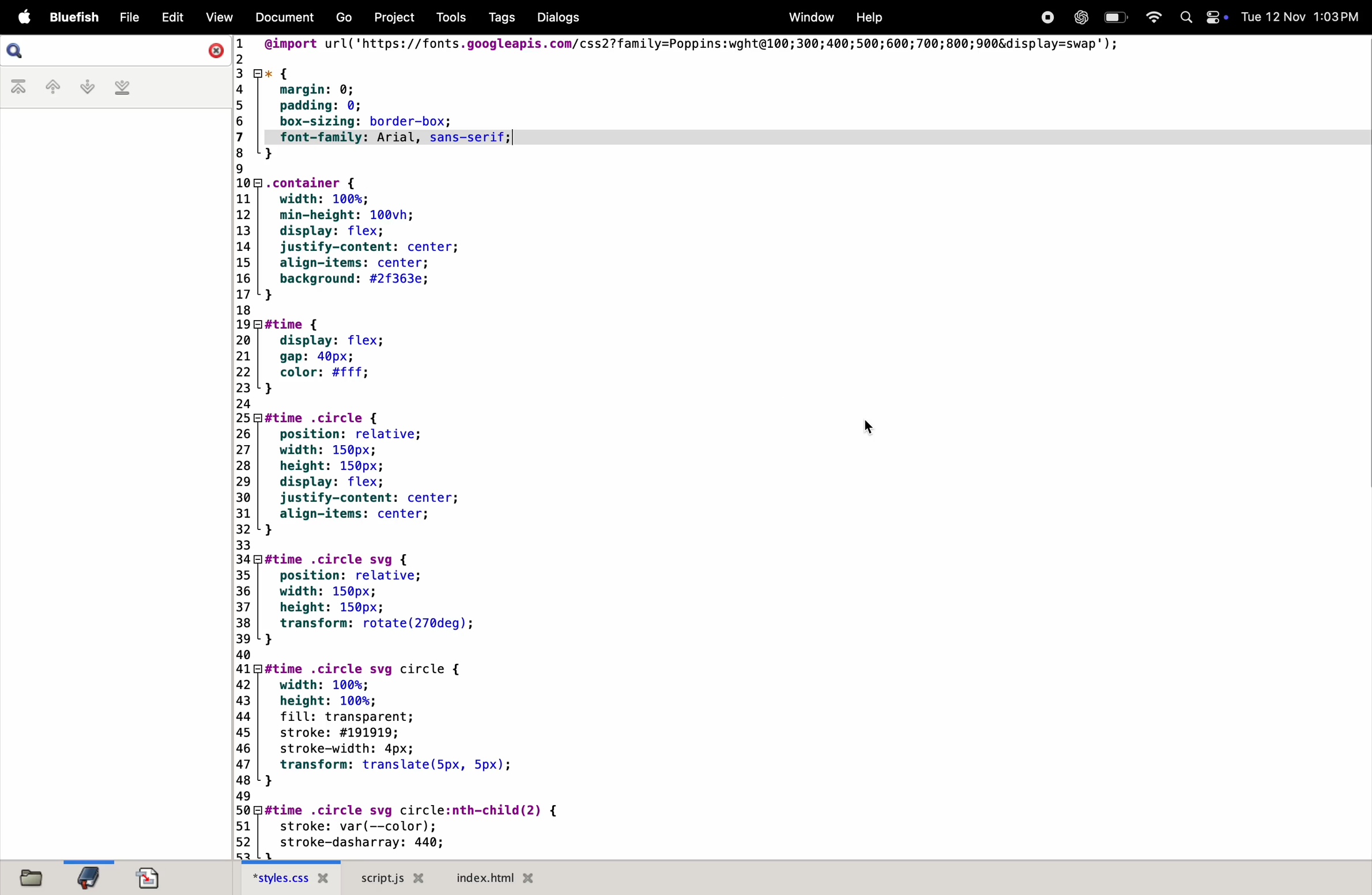 The width and height of the screenshot is (1372, 895). I want to click on dialogs, so click(557, 18).